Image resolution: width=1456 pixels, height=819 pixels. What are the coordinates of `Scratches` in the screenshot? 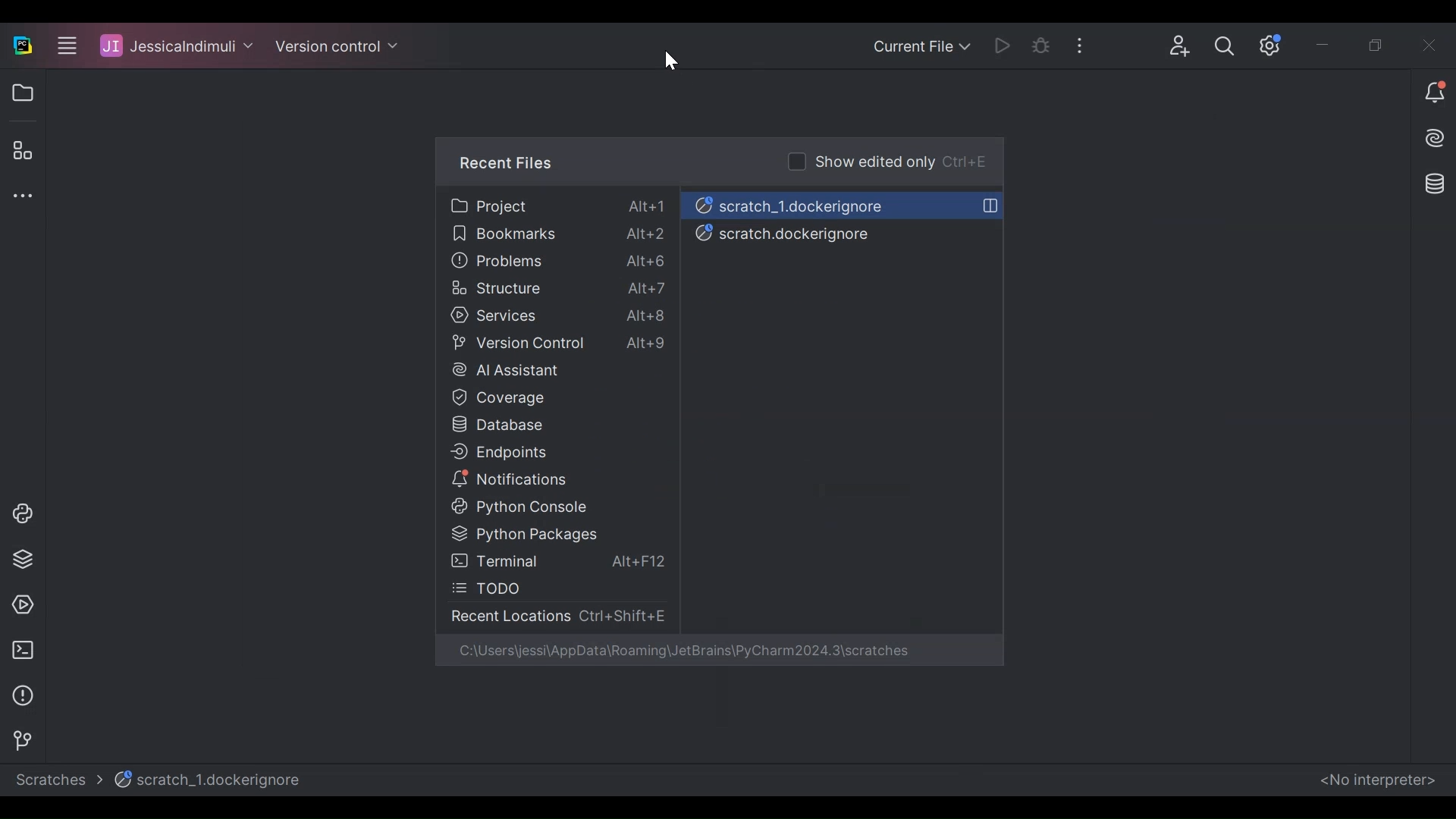 It's located at (60, 778).